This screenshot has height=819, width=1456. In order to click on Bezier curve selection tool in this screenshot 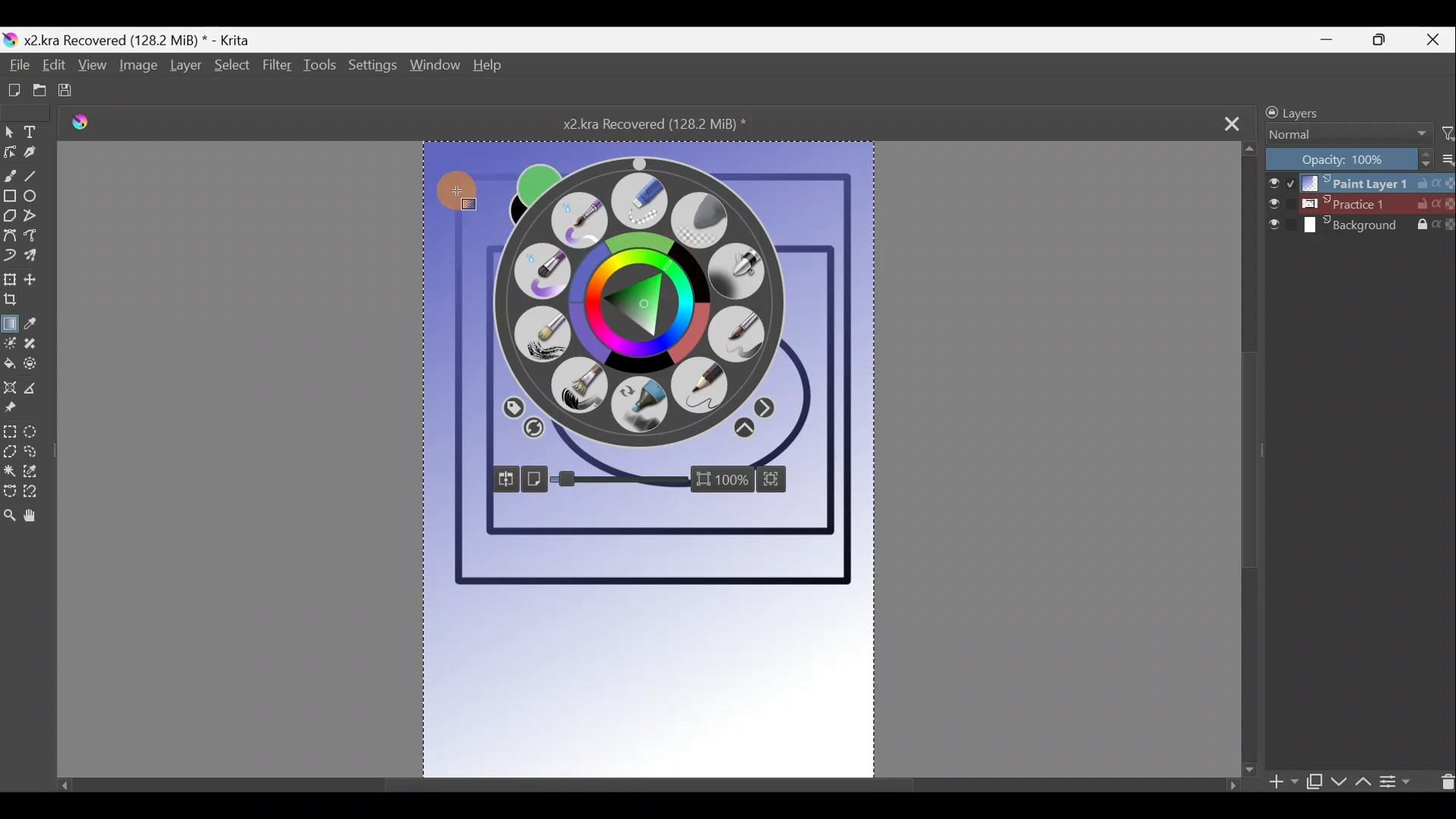, I will do `click(9, 493)`.